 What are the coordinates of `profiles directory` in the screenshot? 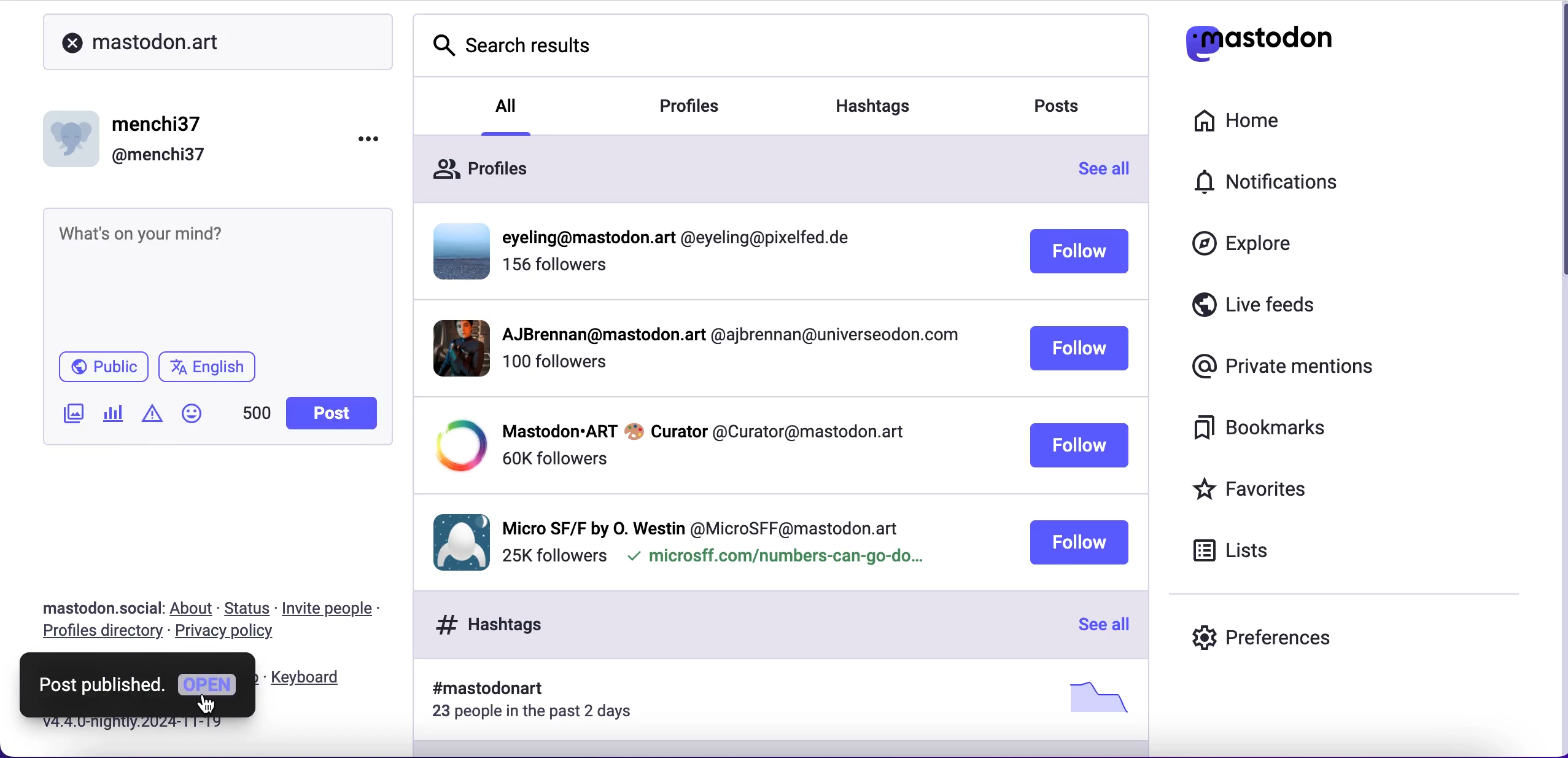 It's located at (98, 633).